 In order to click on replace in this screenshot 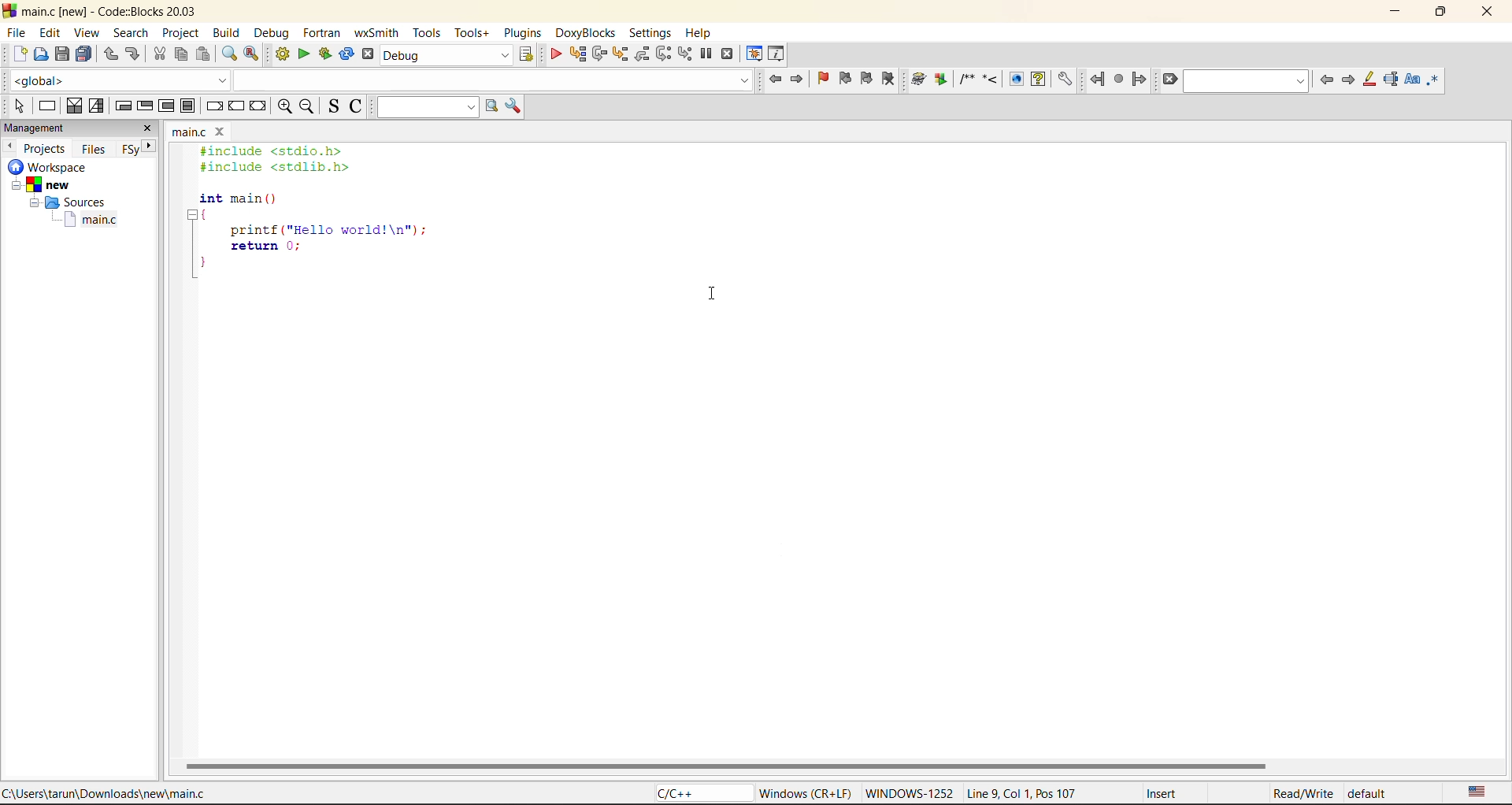, I will do `click(251, 52)`.